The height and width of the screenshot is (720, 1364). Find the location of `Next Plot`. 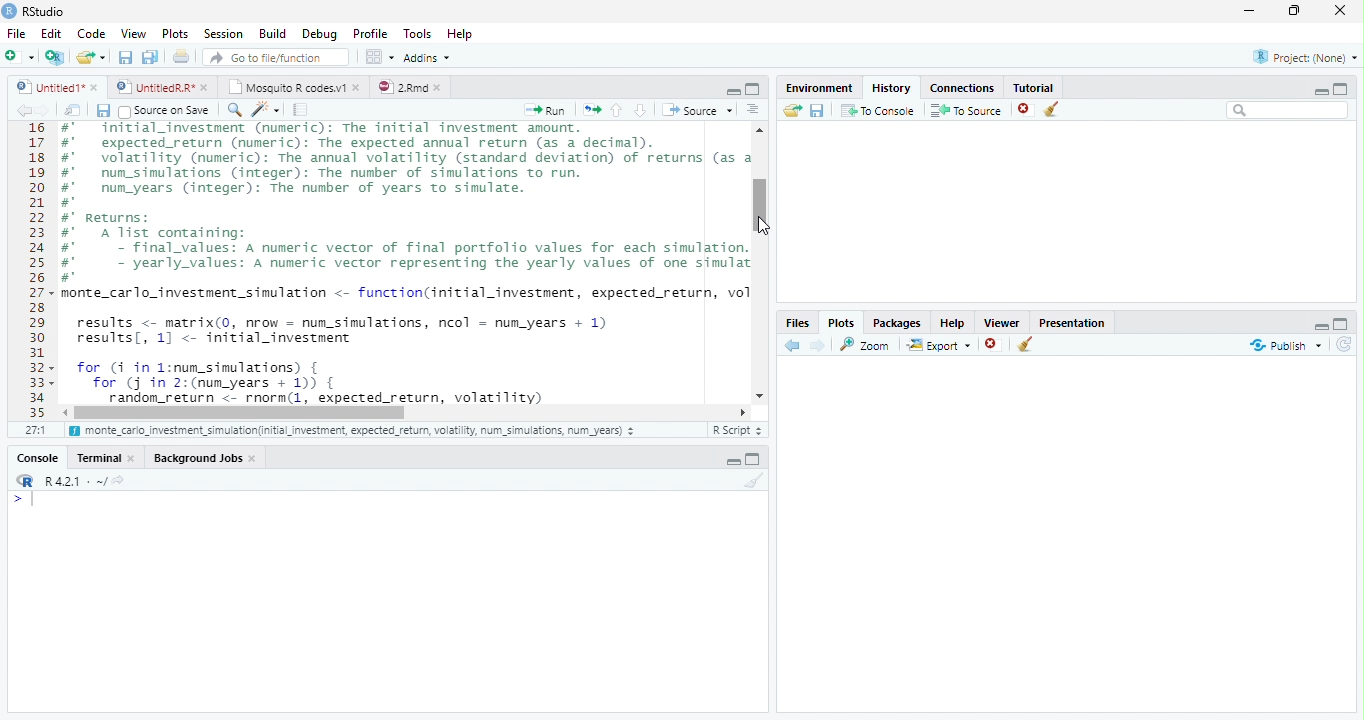

Next Plot is located at coordinates (818, 345).